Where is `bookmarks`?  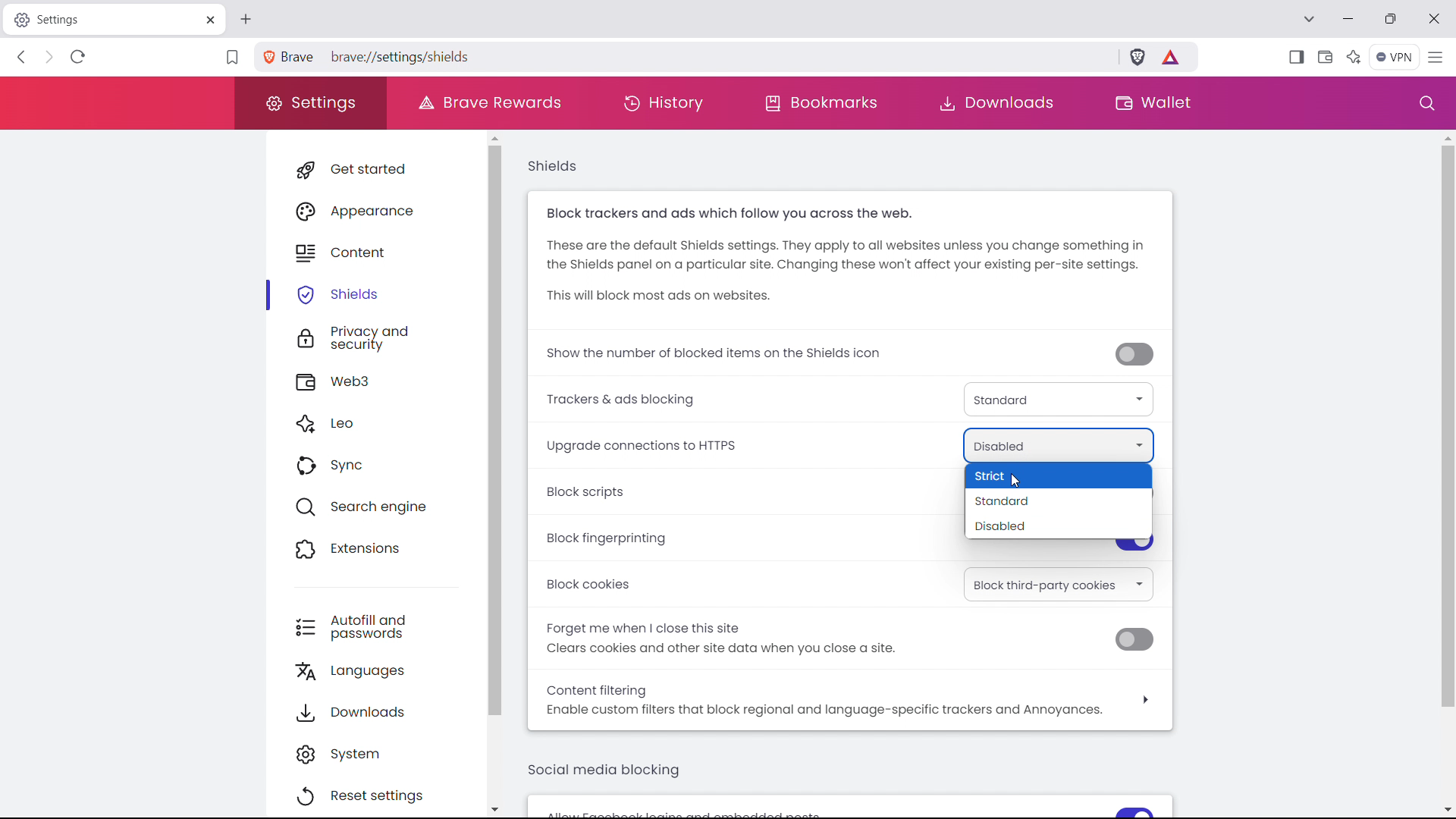 bookmarks is located at coordinates (821, 103).